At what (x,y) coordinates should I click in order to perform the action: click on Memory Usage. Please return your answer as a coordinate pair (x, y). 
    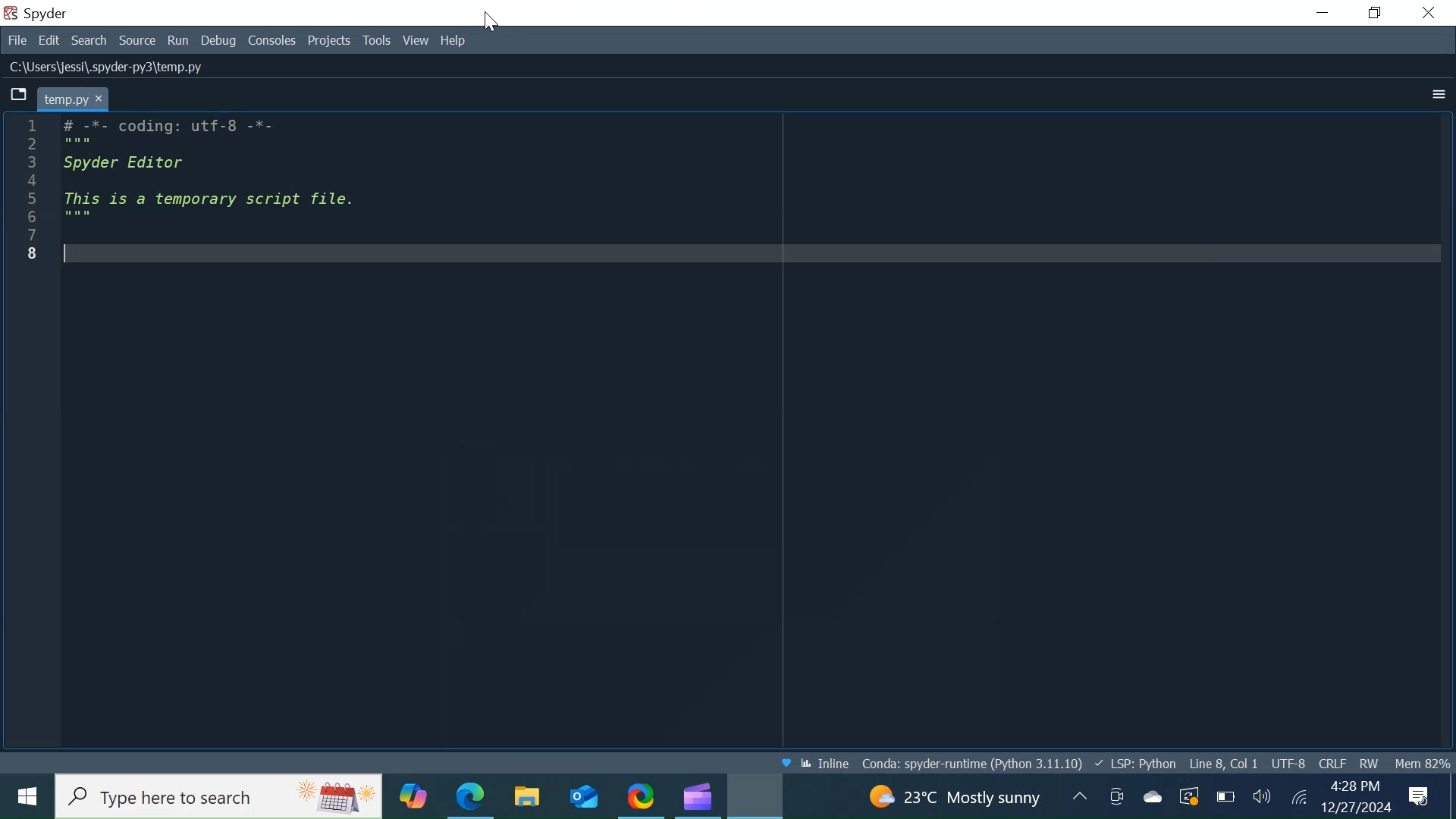
    Looking at the image, I should click on (1422, 764).